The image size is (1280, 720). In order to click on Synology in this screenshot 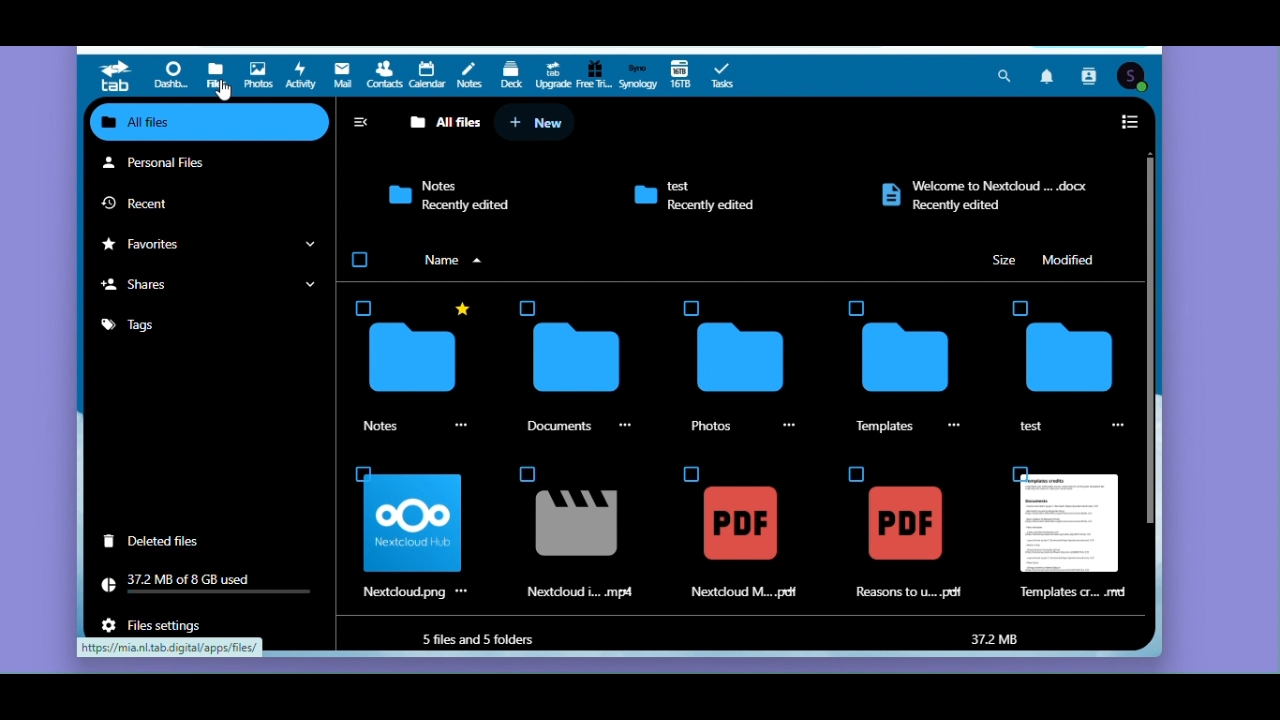, I will do `click(637, 75)`.